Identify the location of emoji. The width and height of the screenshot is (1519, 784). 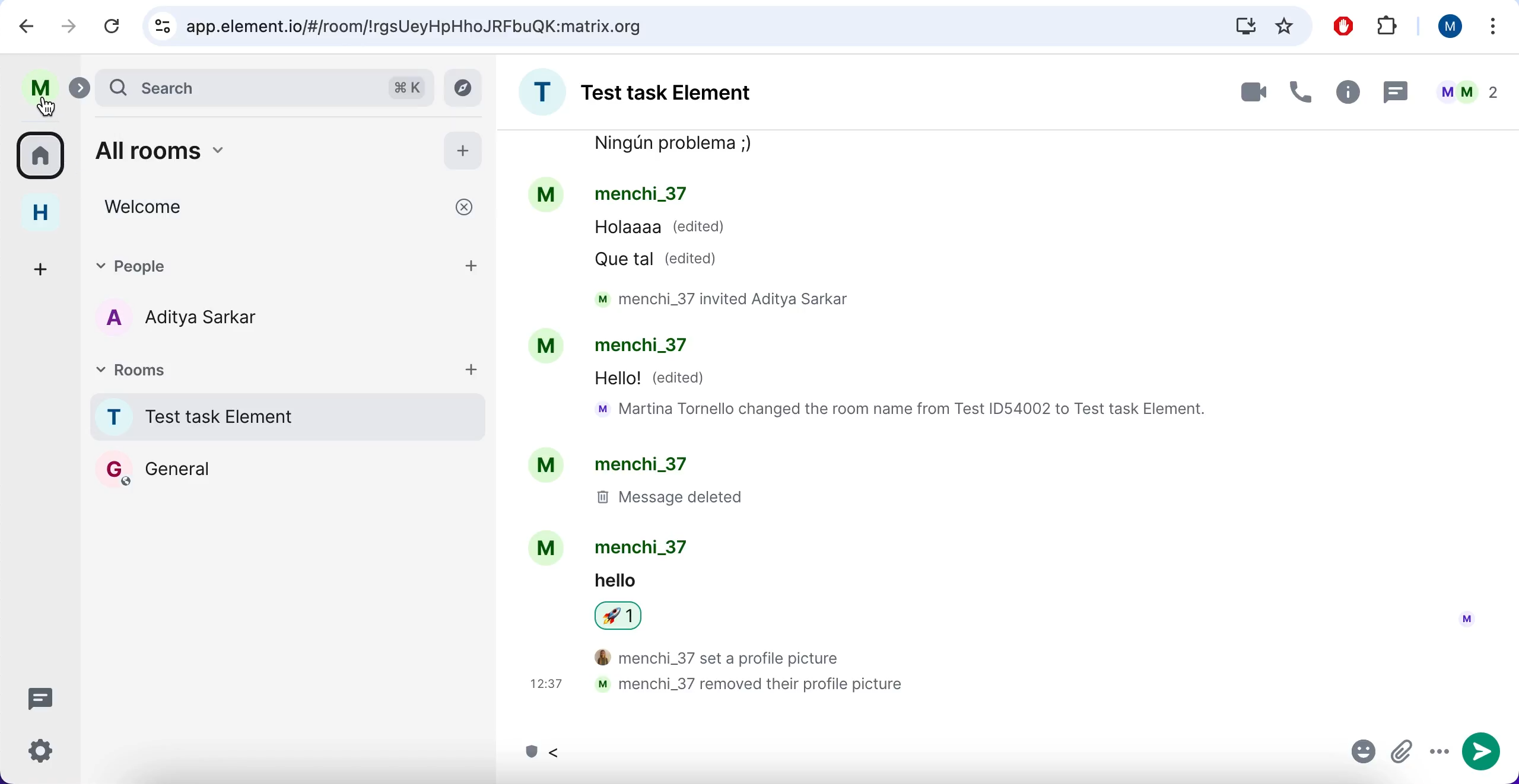
(1359, 754).